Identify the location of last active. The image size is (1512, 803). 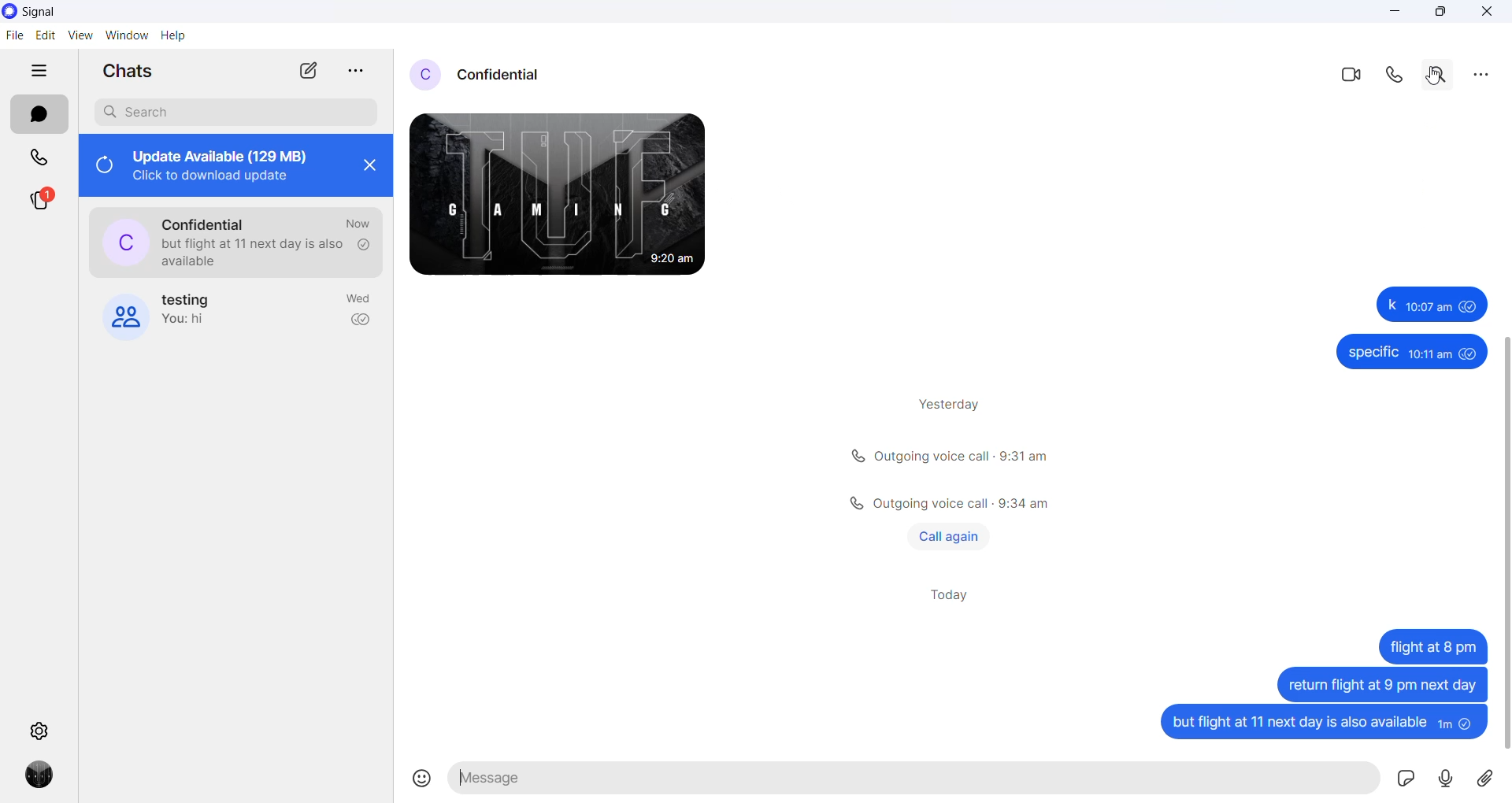
(360, 301).